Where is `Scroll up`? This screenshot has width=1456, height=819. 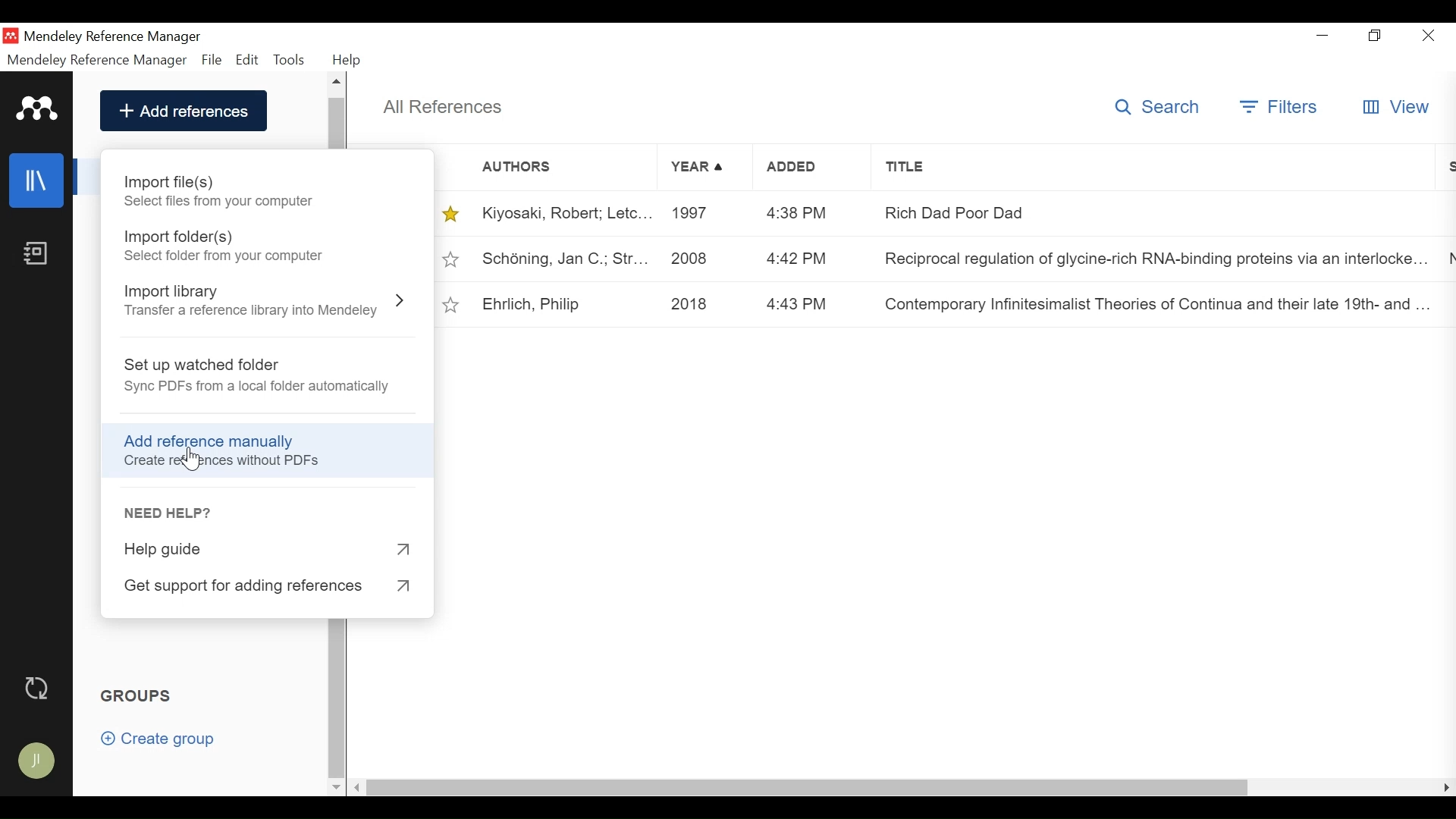
Scroll up is located at coordinates (338, 83).